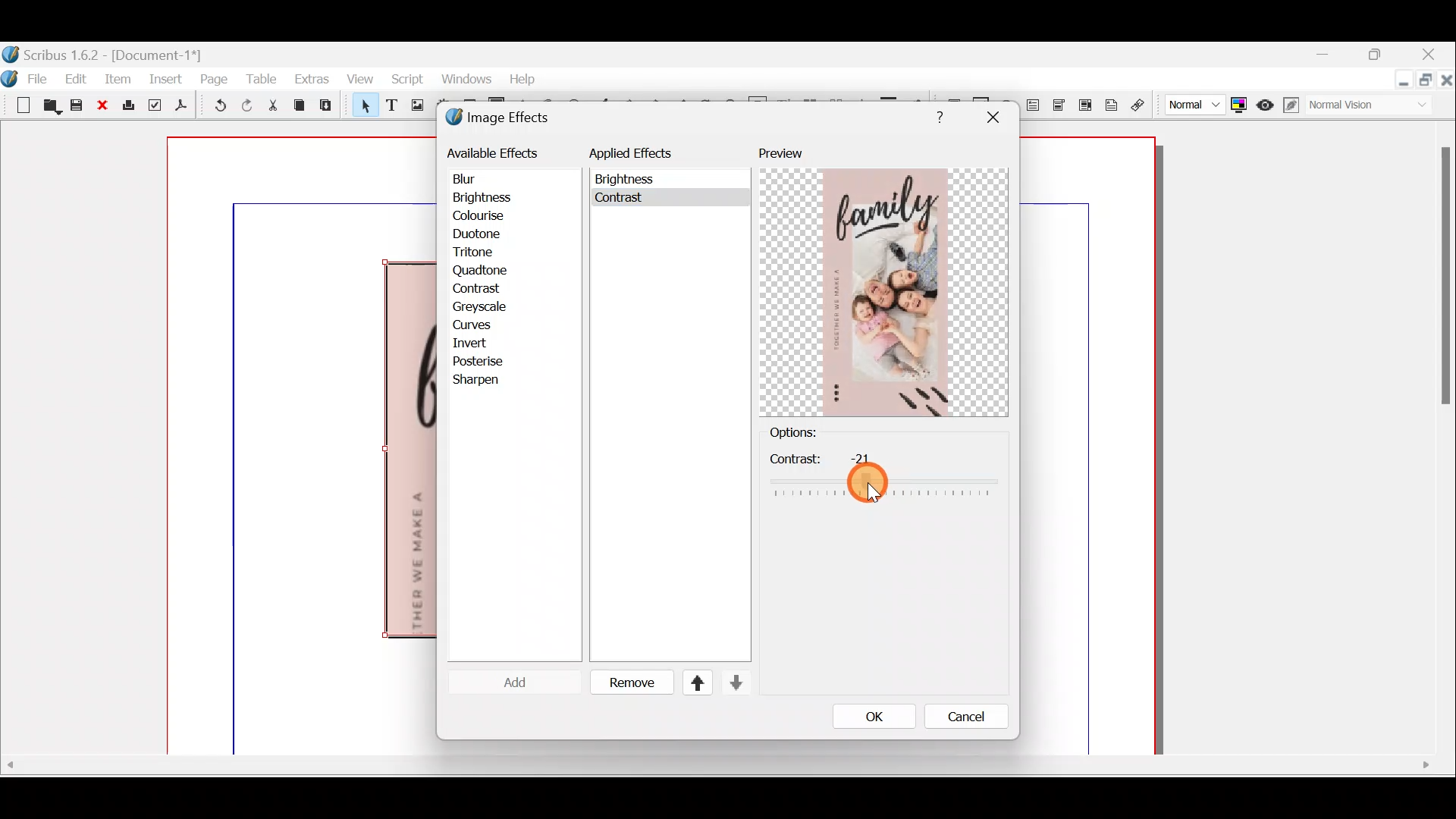 This screenshot has height=819, width=1456. What do you see at coordinates (1266, 102) in the screenshot?
I see `Preview mode` at bounding box center [1266, 102].